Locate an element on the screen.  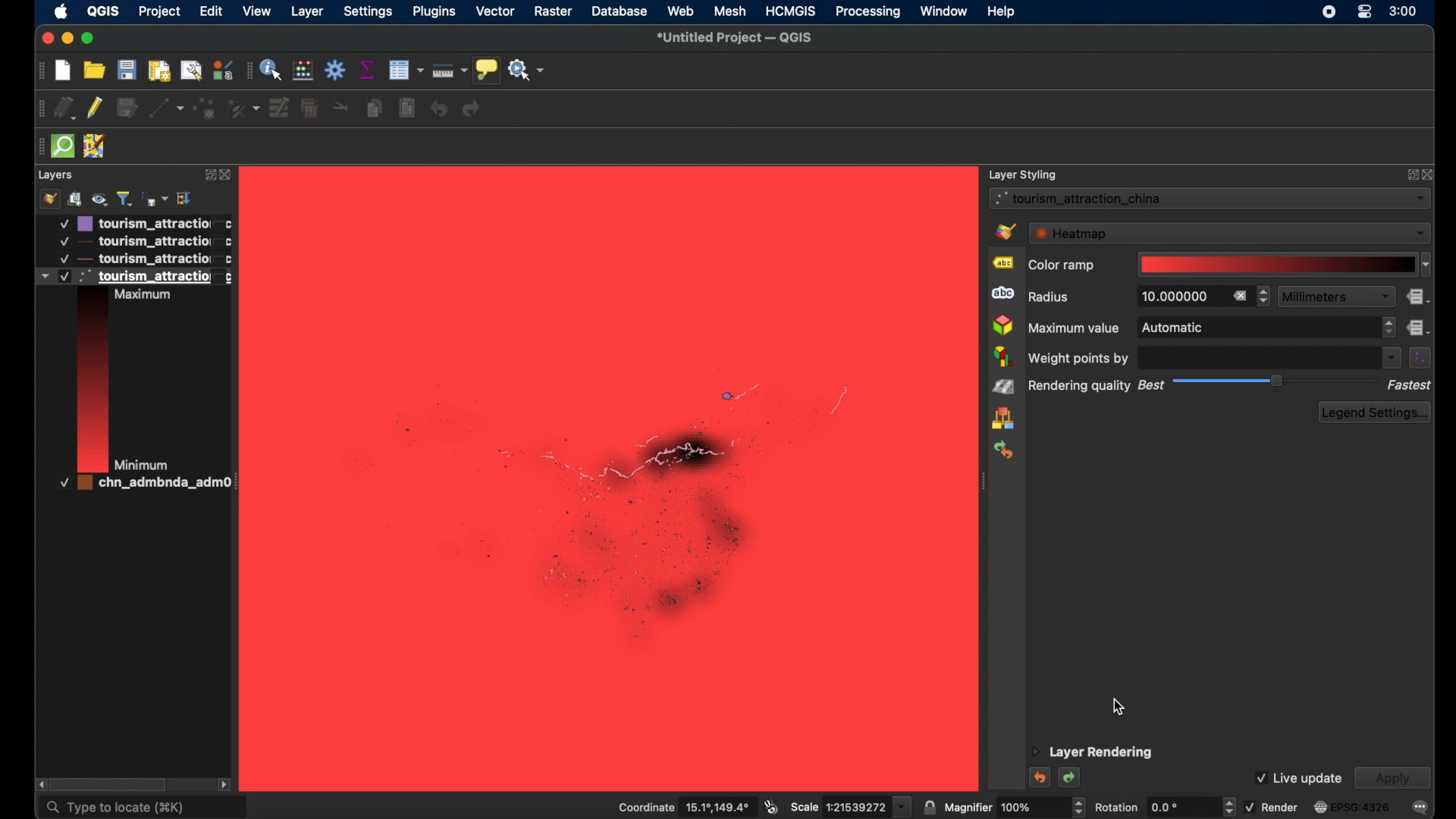
drag handle is located at coordinates (39, 109).